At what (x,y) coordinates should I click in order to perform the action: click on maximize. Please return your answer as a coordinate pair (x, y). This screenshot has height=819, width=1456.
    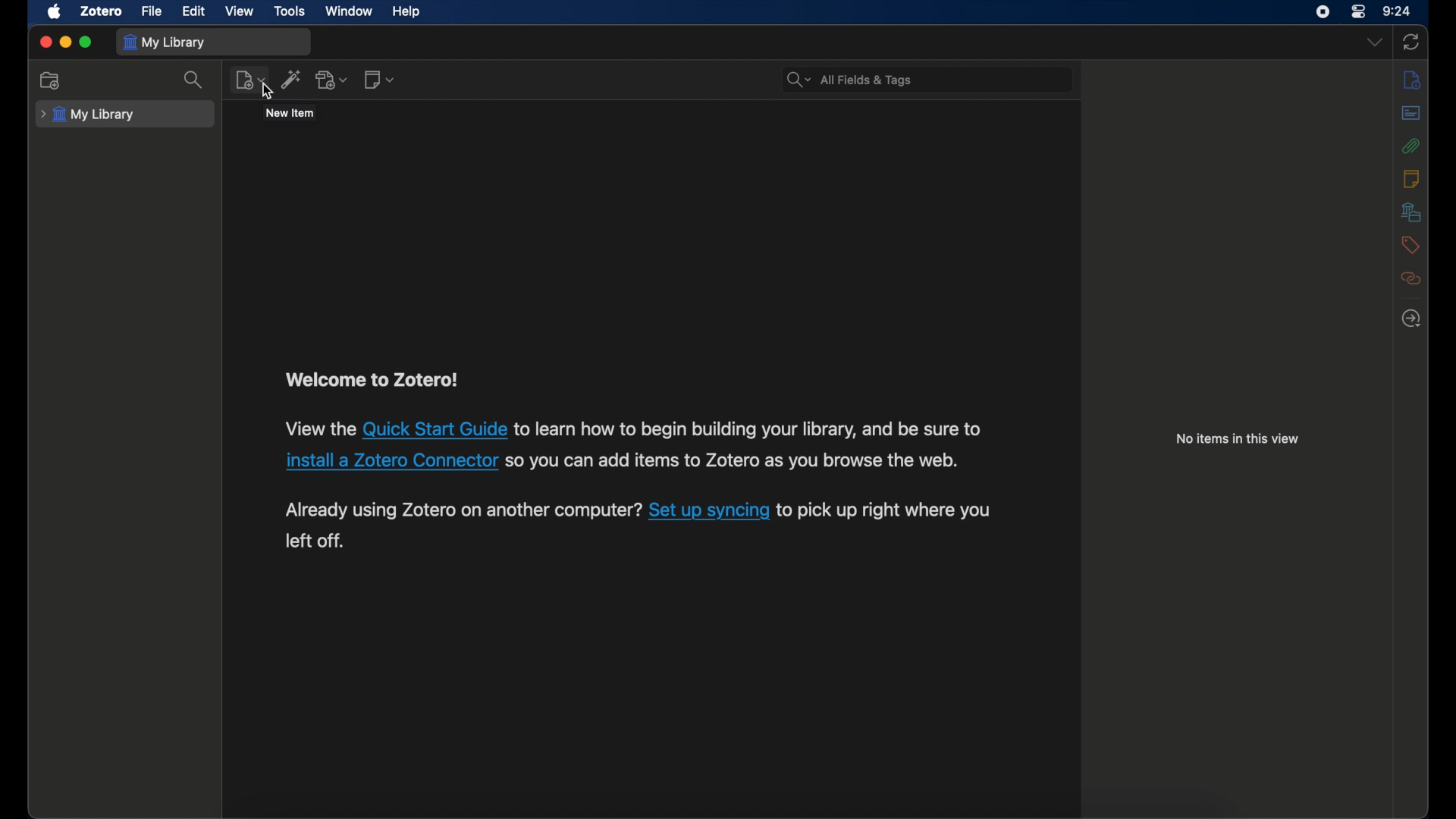
    Looking at the image, I should click on (86, 42).